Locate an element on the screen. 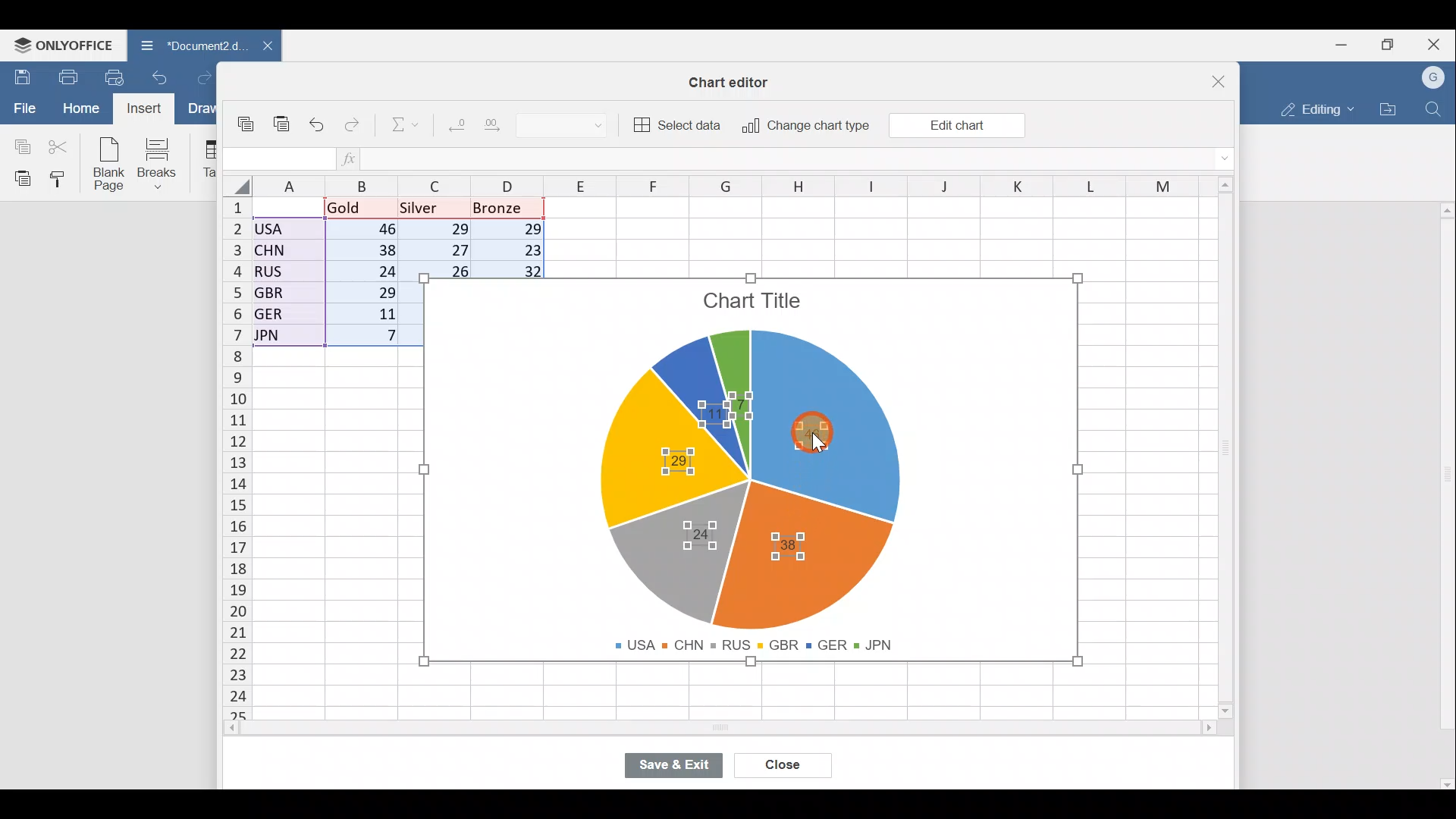 The width and height of the screenshot is (1456, 819). Document name is located at coordinates (188, 47).